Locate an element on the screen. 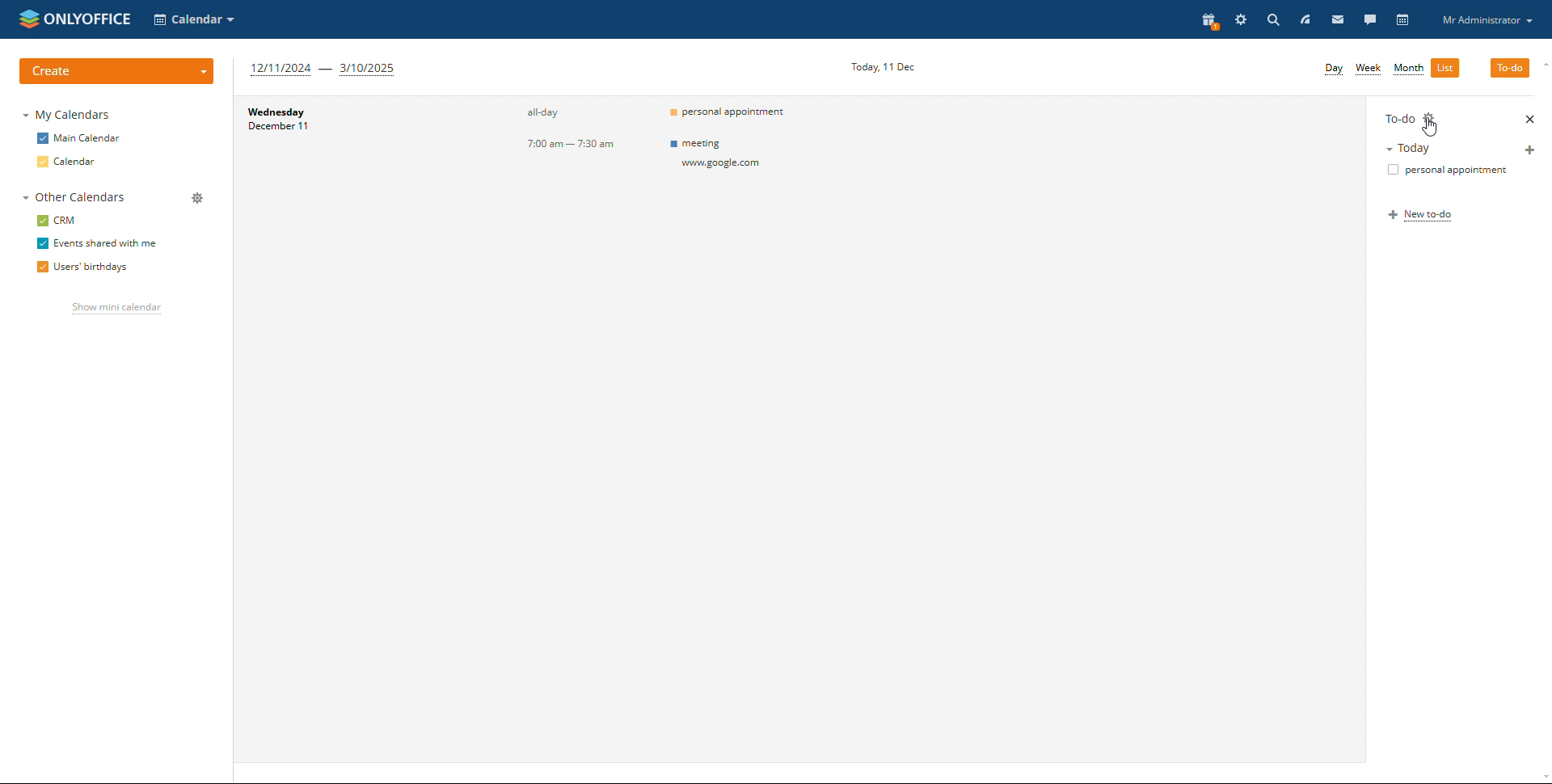 This screenshot has height=784, width=1552. select application is located at coordinates (194, 19).